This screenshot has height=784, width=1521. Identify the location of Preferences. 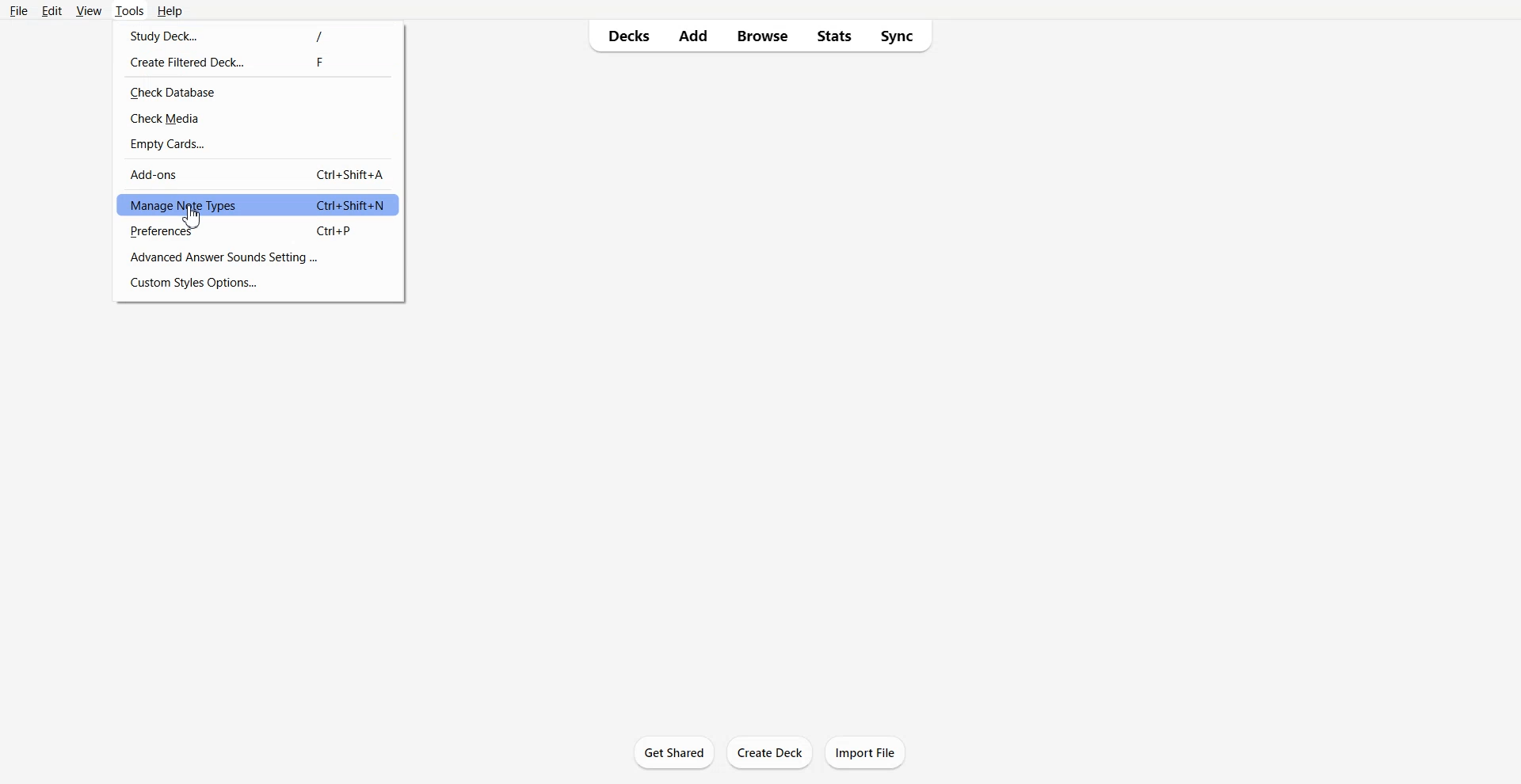
(258, 231).